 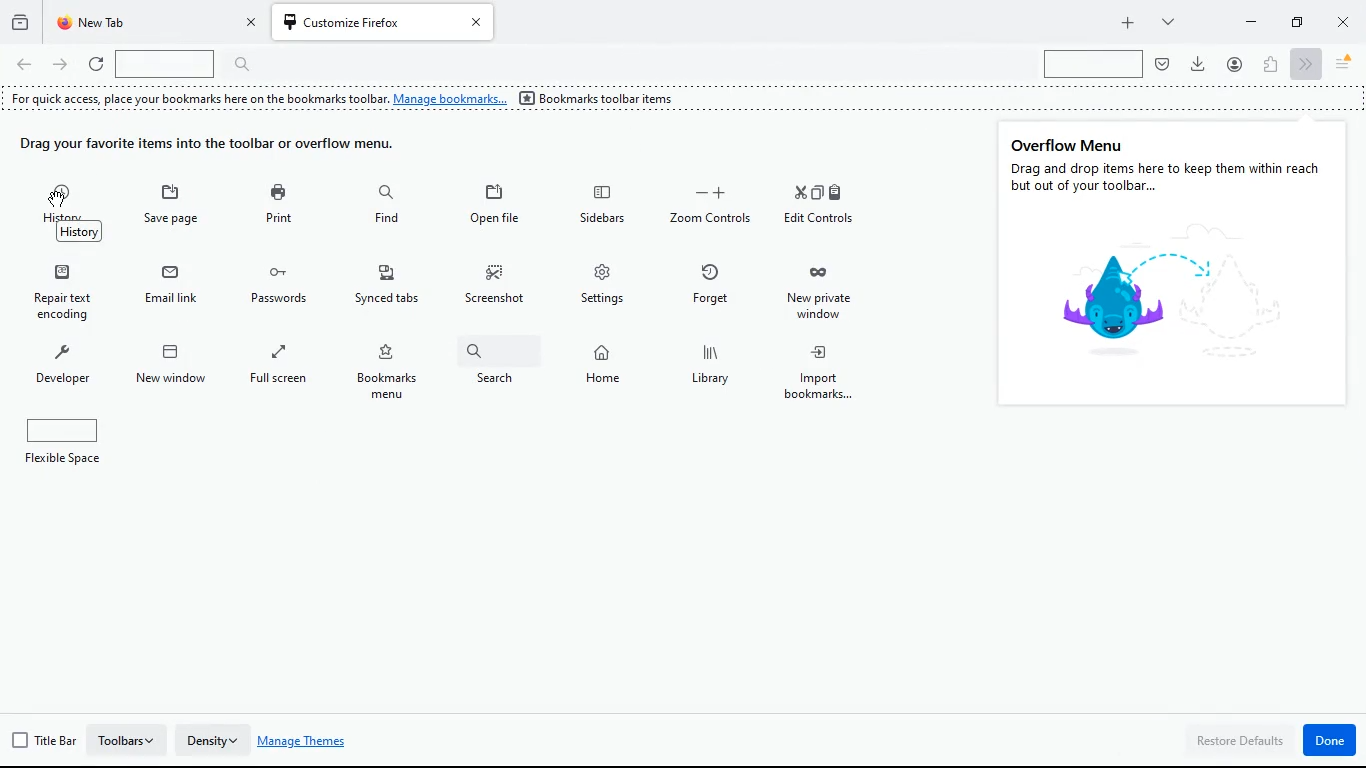 I want to click on back, so click(x=24, y=66).